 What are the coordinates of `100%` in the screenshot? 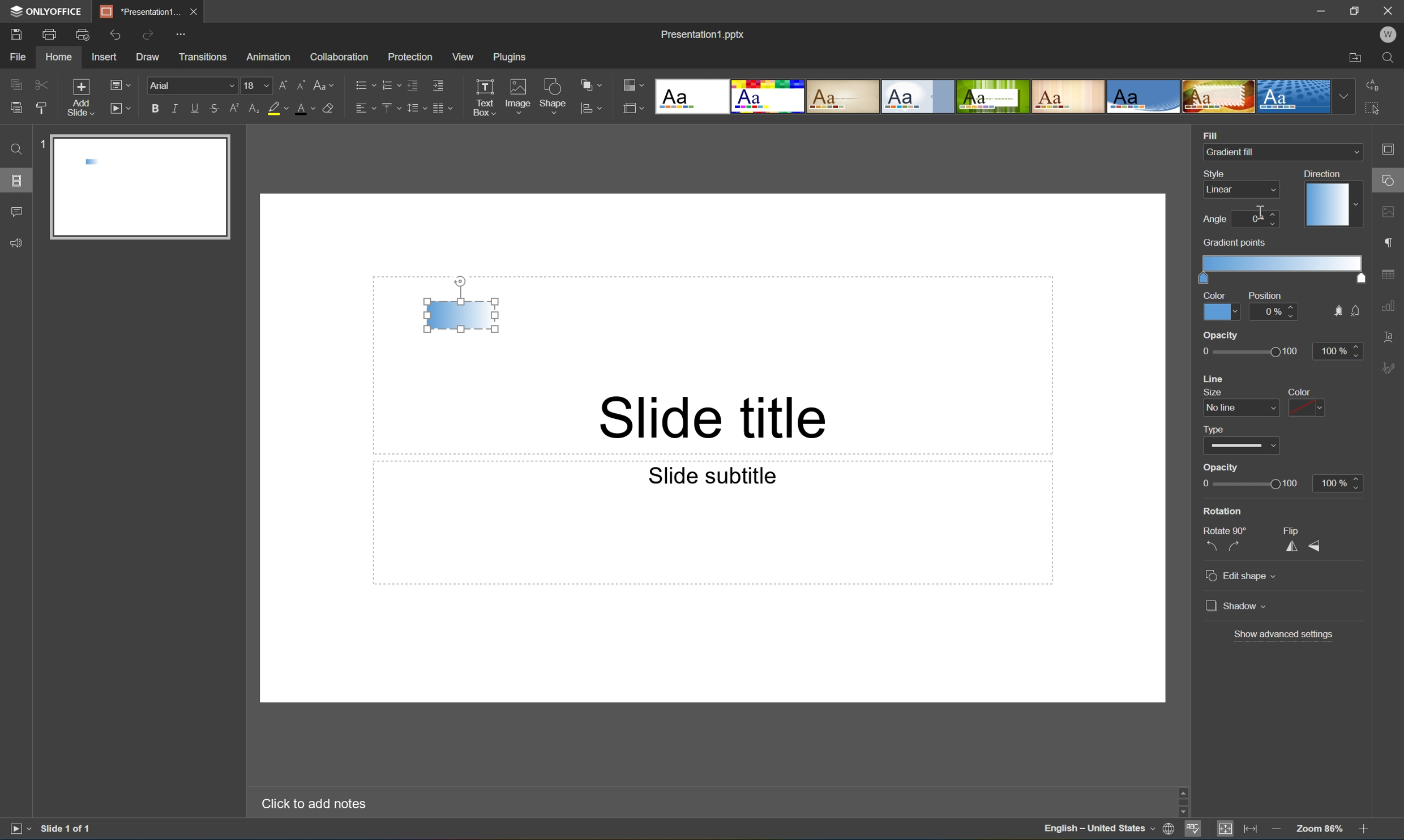 It's located at (1337, 351).